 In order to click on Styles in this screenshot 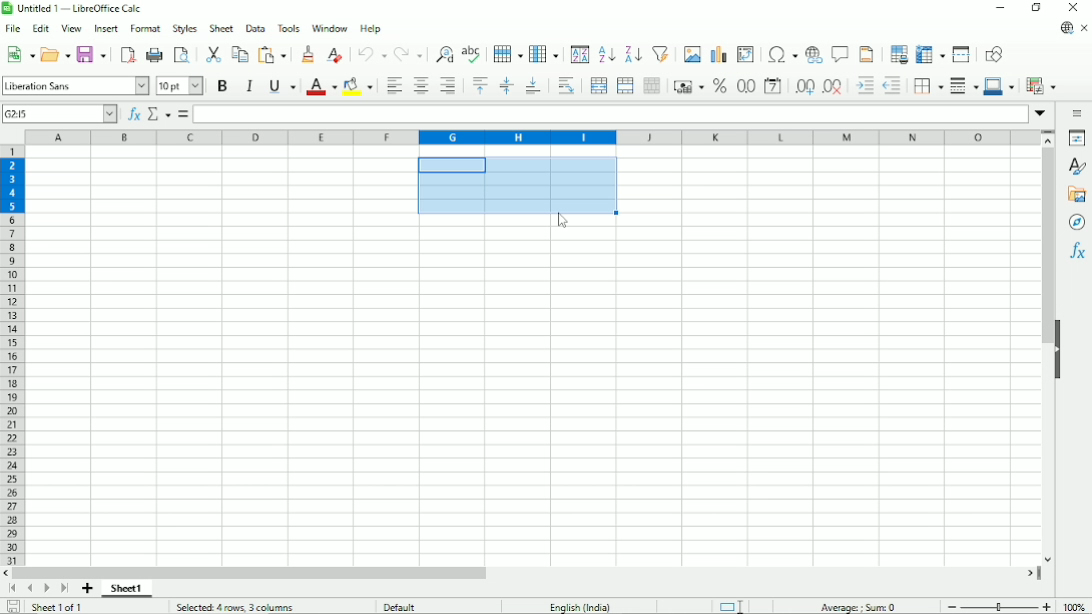, I will do `click(184, 28)`.